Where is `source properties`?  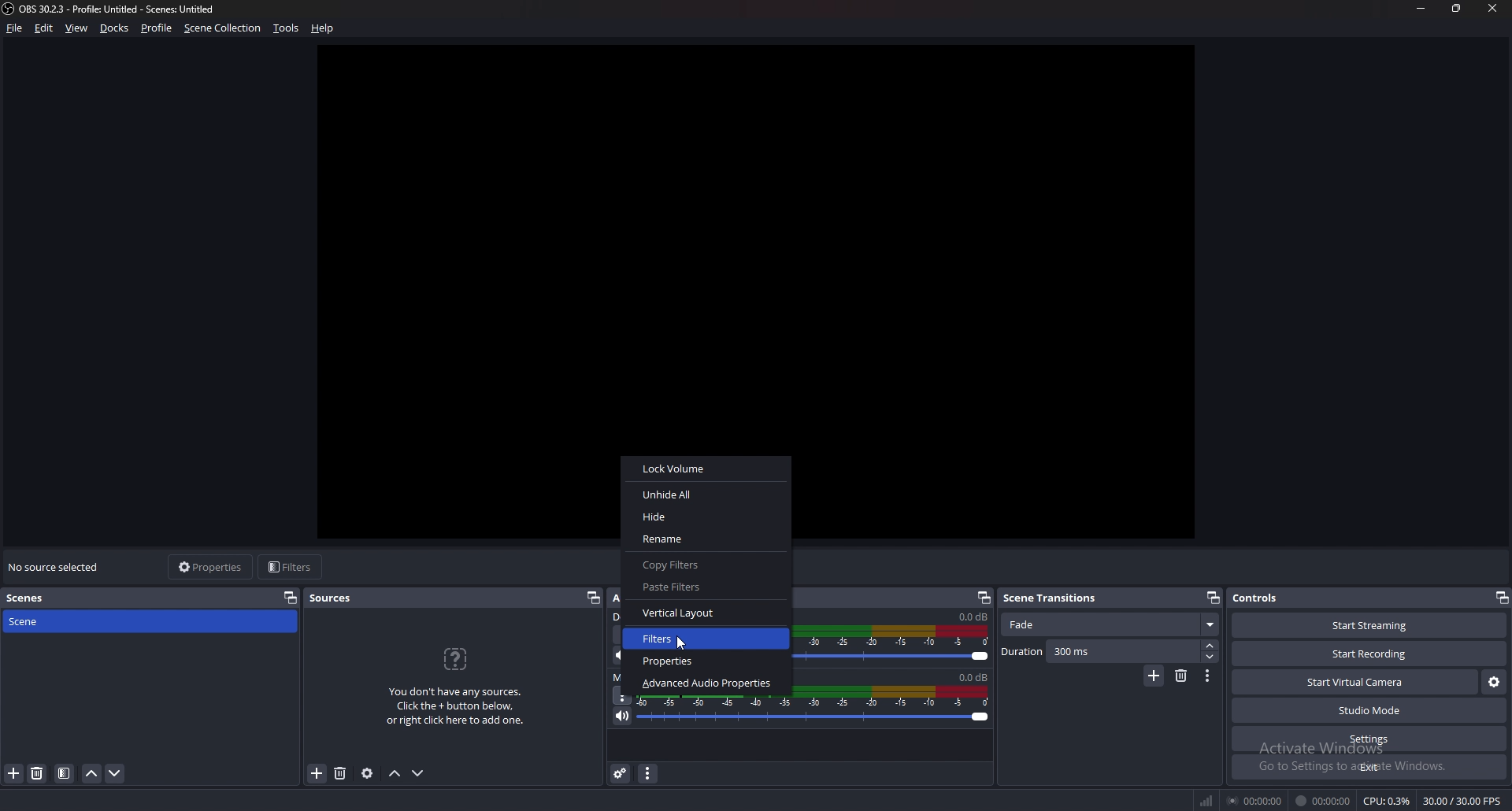 source properties is located at coordinates (368, 774).